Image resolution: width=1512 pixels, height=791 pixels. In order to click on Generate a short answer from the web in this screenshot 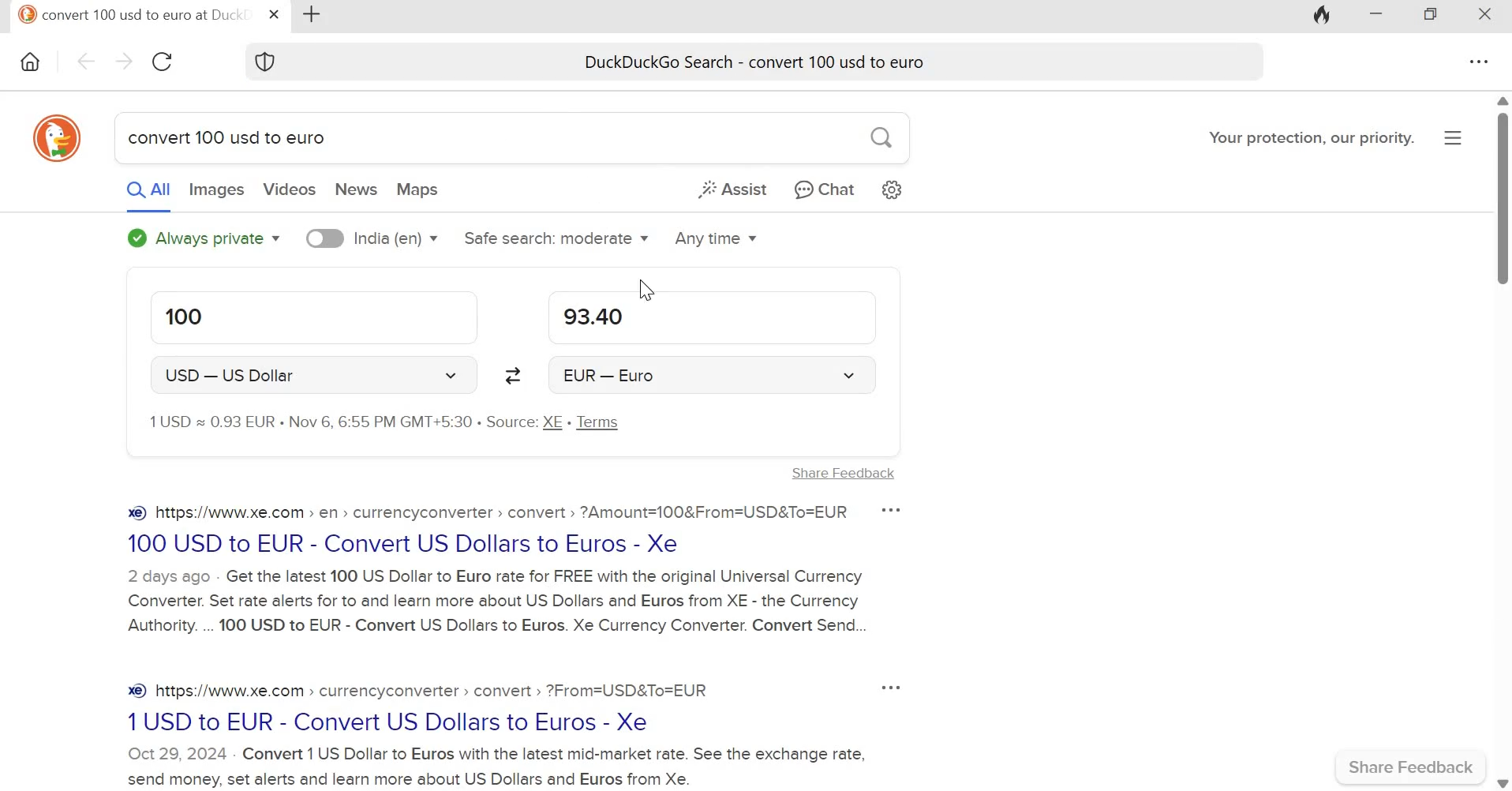, I will do `click(730, 188)`.